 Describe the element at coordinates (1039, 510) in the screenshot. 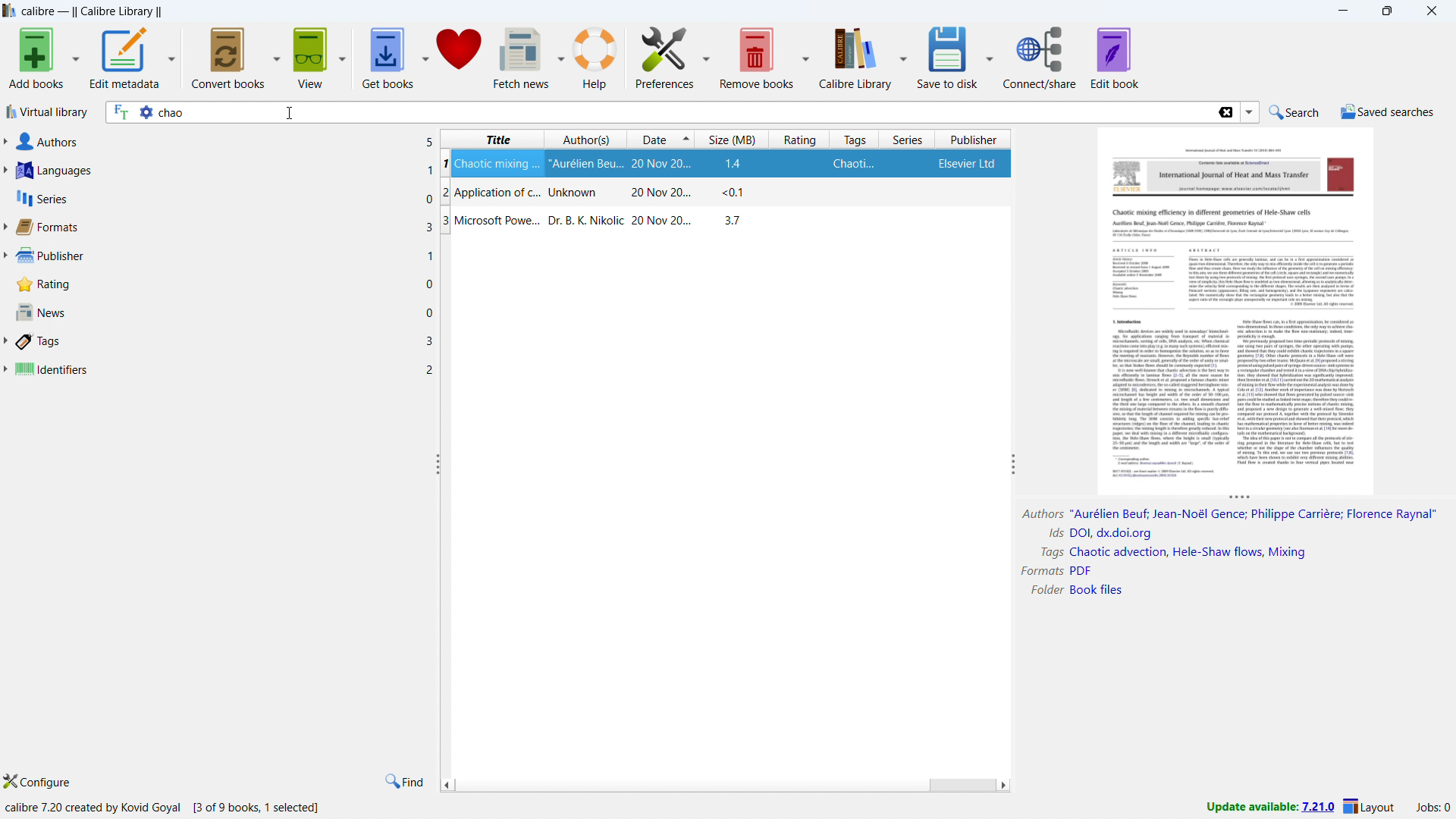

I see `Author` at that location.